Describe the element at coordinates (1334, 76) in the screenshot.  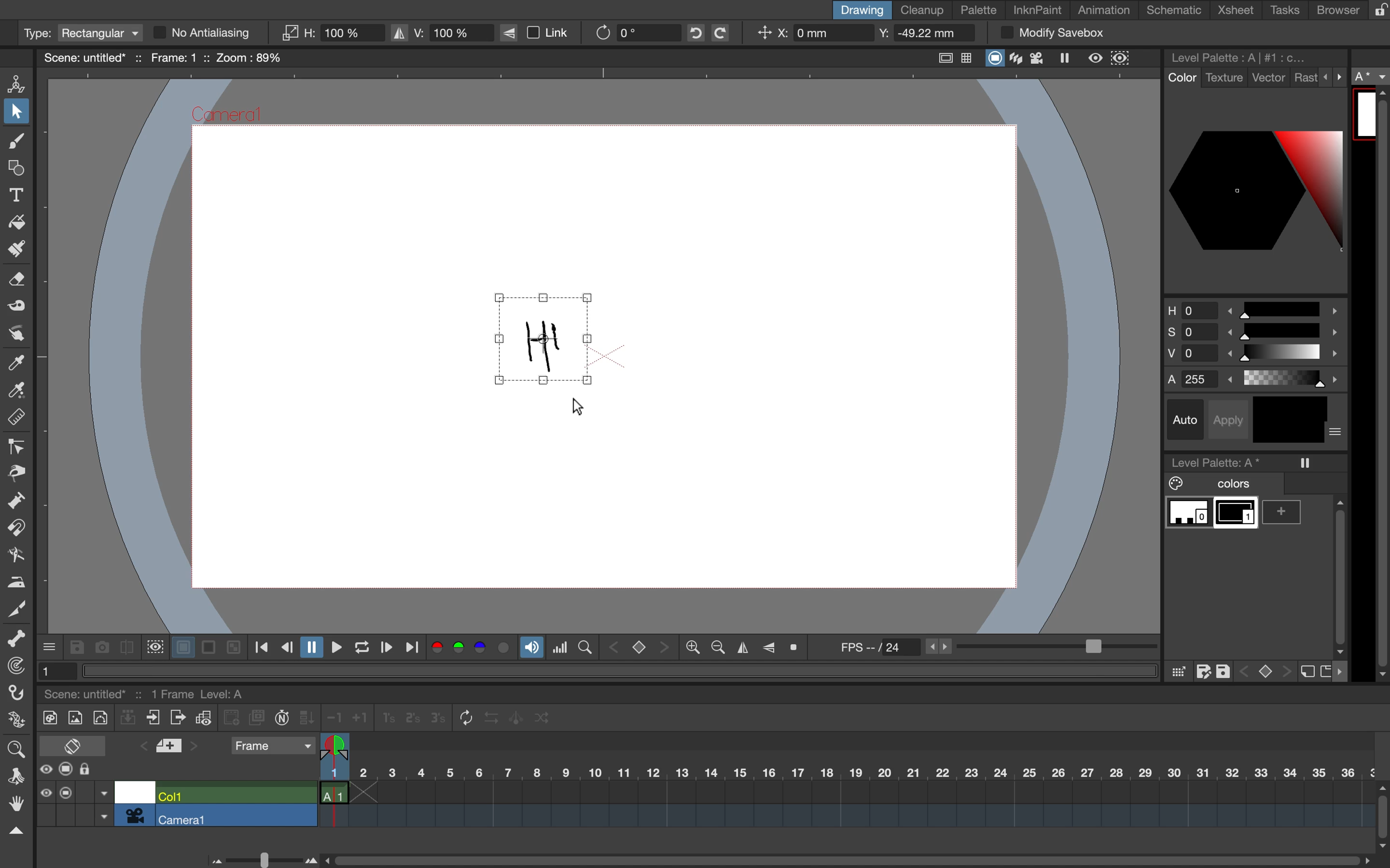
I see `more options` at that location.